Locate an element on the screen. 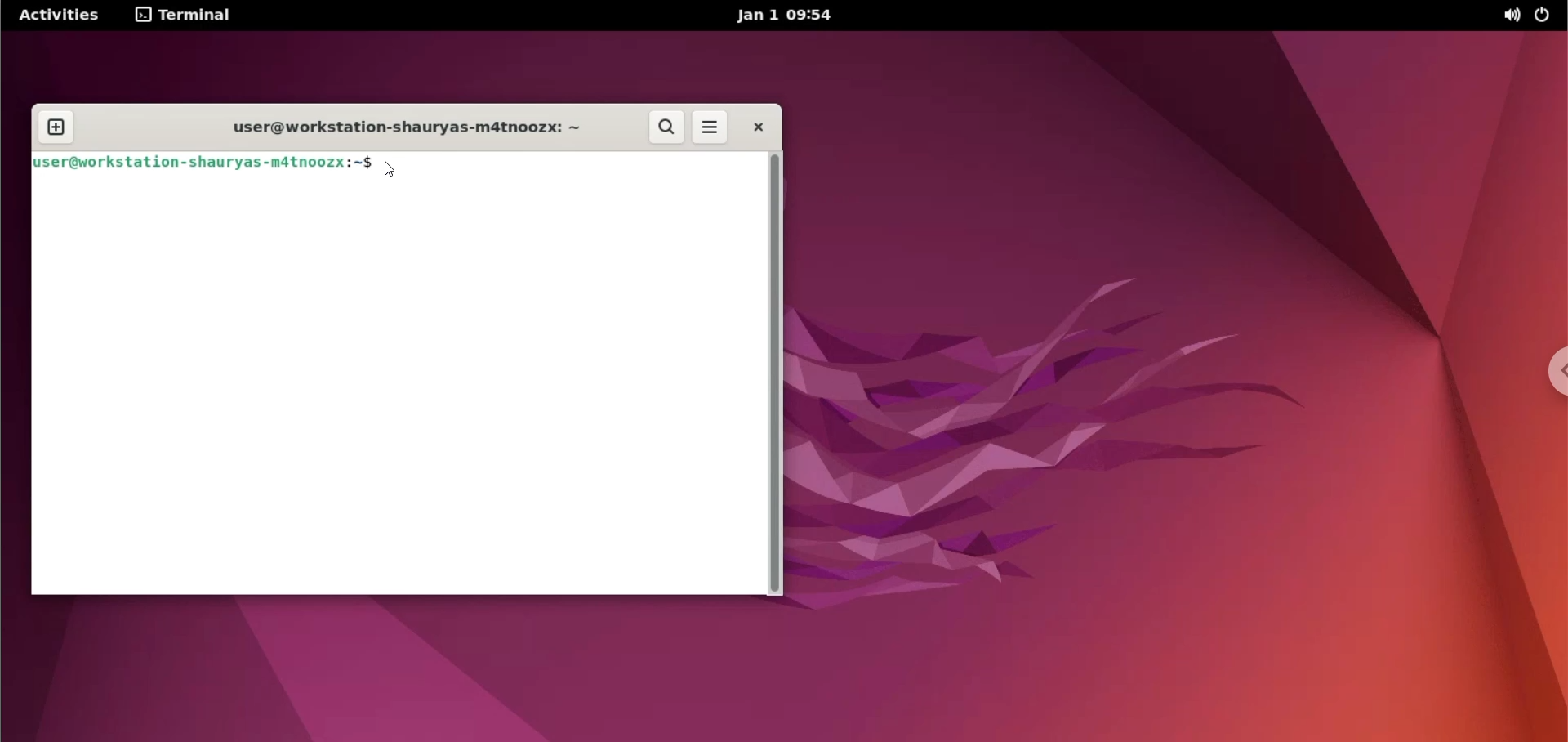  terminal  is located at coordinates (185, 17).